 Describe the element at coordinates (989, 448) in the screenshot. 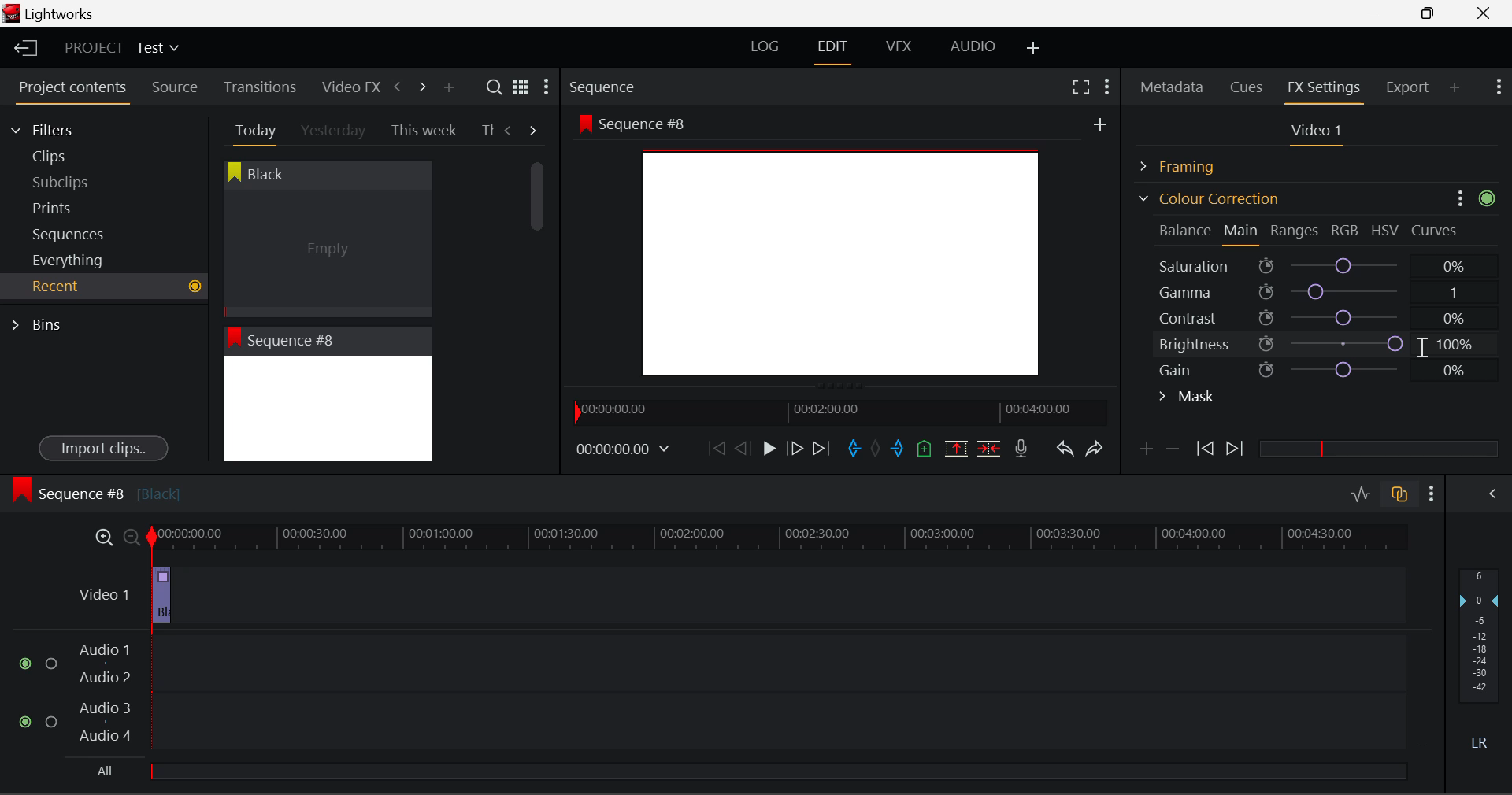

I see `Delete/Cut` at that location.